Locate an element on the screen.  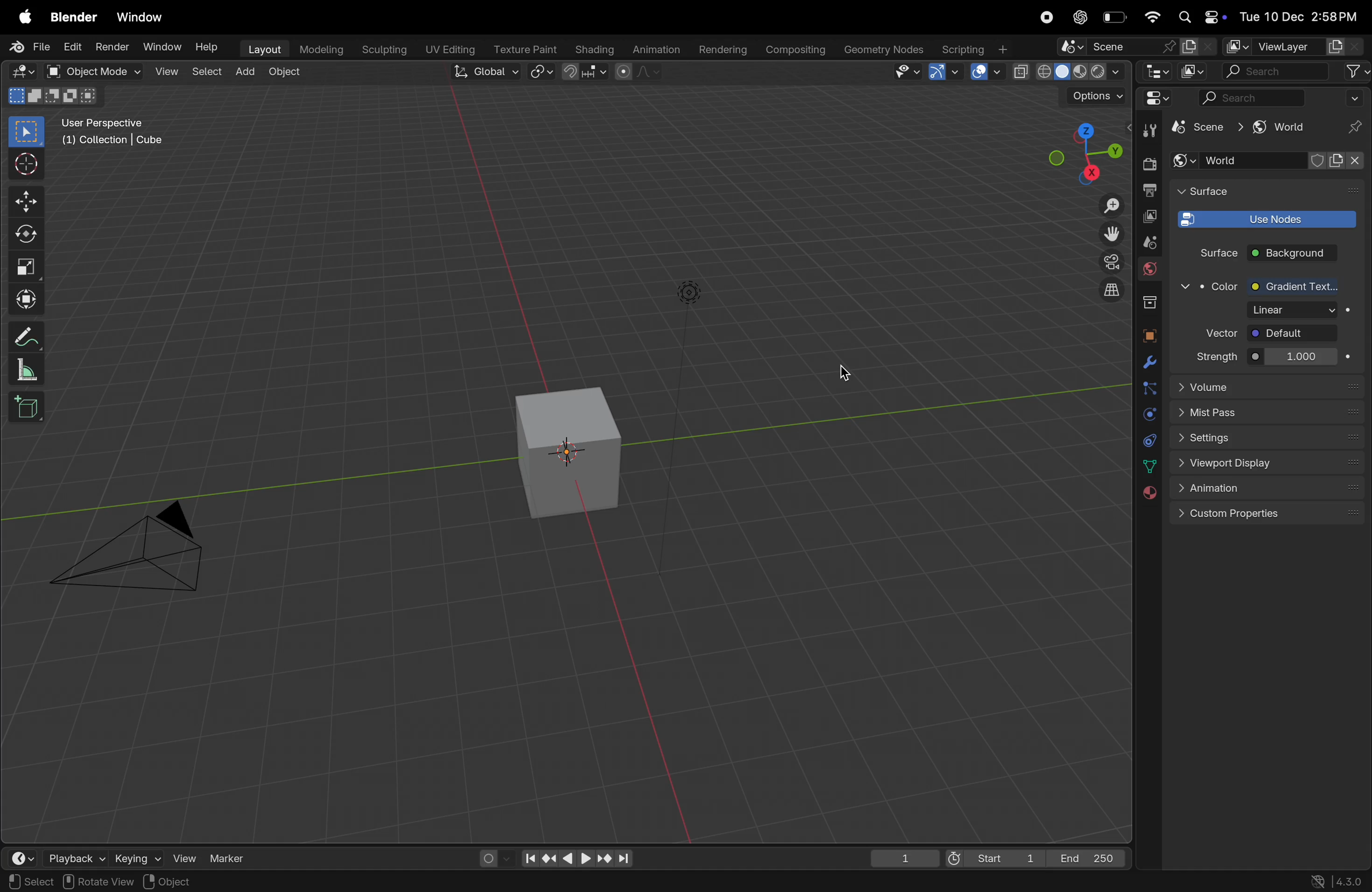
data is located at coordinates (1151, 466).